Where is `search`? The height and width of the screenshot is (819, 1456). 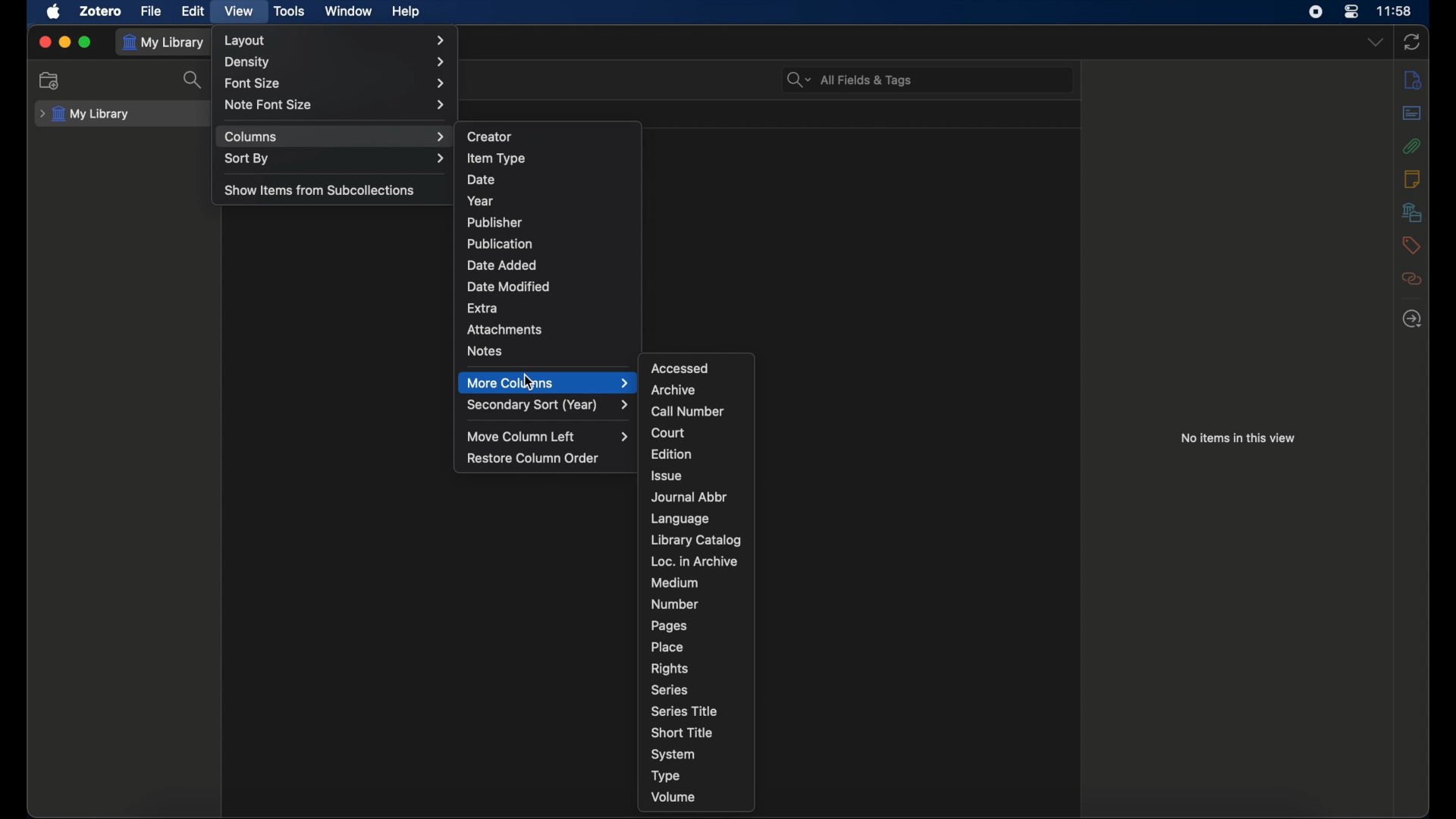
search is located at coordinates (196, 80).